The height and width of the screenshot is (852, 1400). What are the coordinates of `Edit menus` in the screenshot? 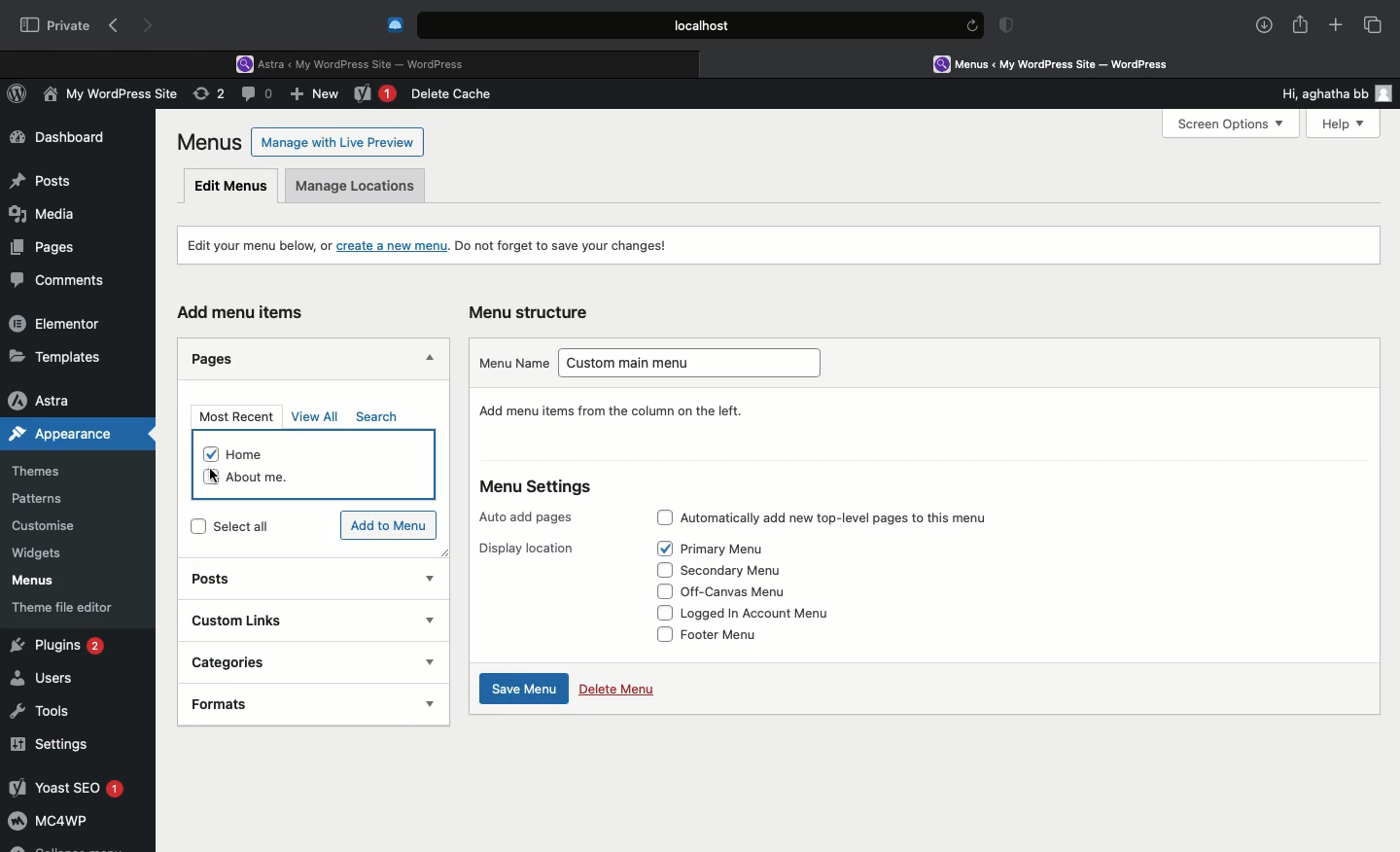 It's located at (232, 185).